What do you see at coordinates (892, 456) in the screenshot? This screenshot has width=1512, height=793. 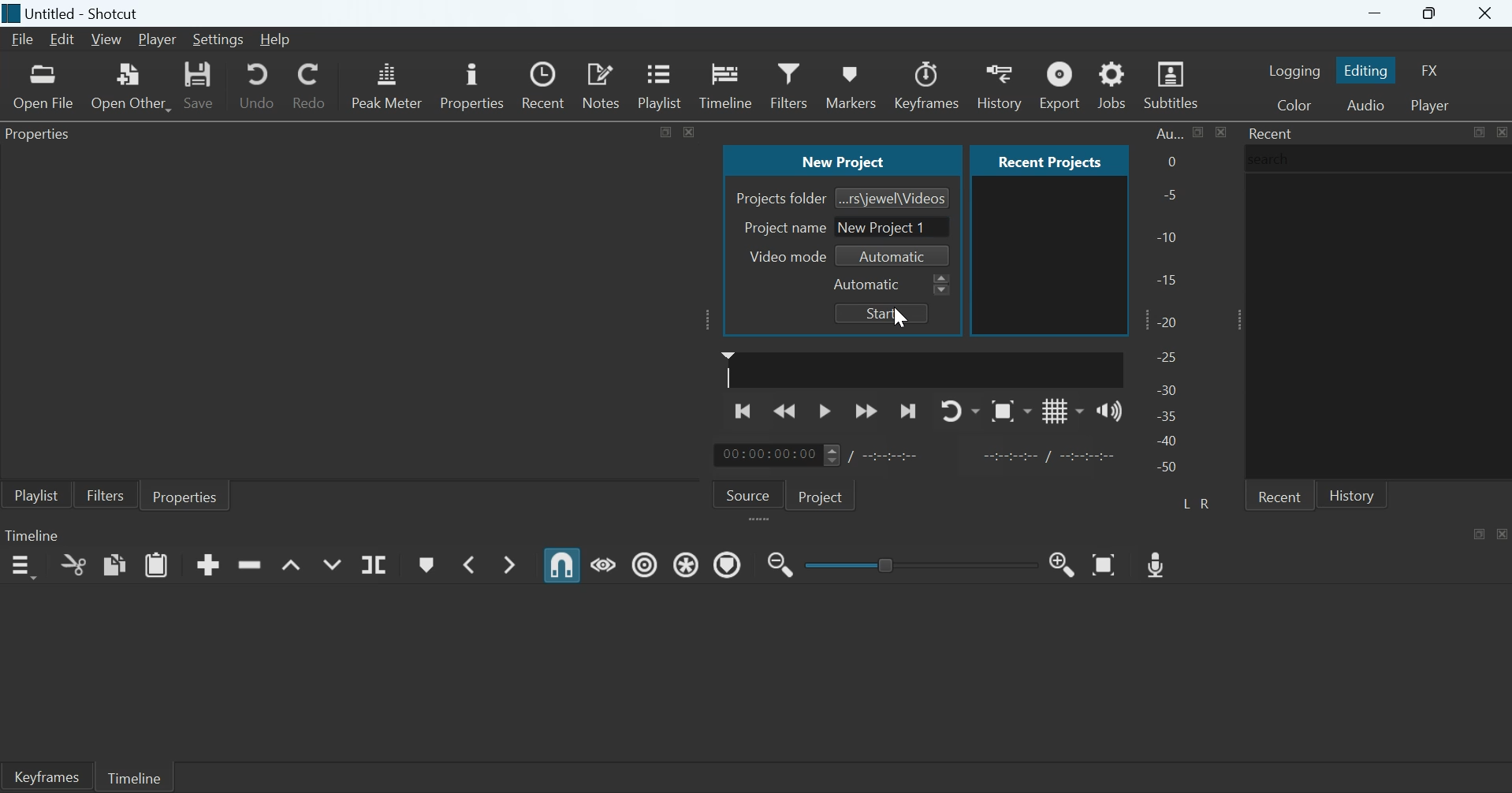 I see `Duration` at bounding box center [892, 456].